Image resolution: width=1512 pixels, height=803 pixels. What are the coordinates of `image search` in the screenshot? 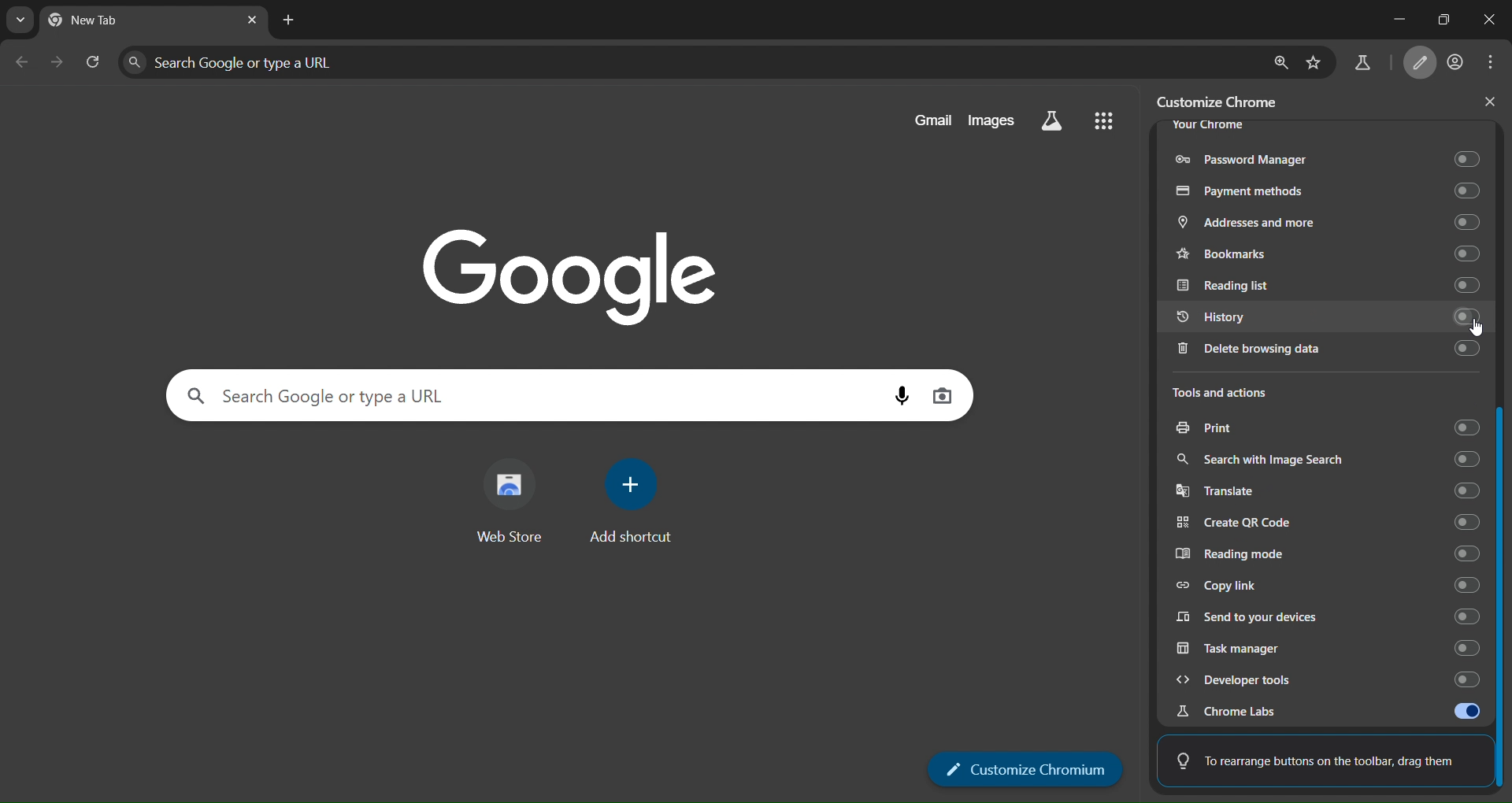 It's located at (942, 394).